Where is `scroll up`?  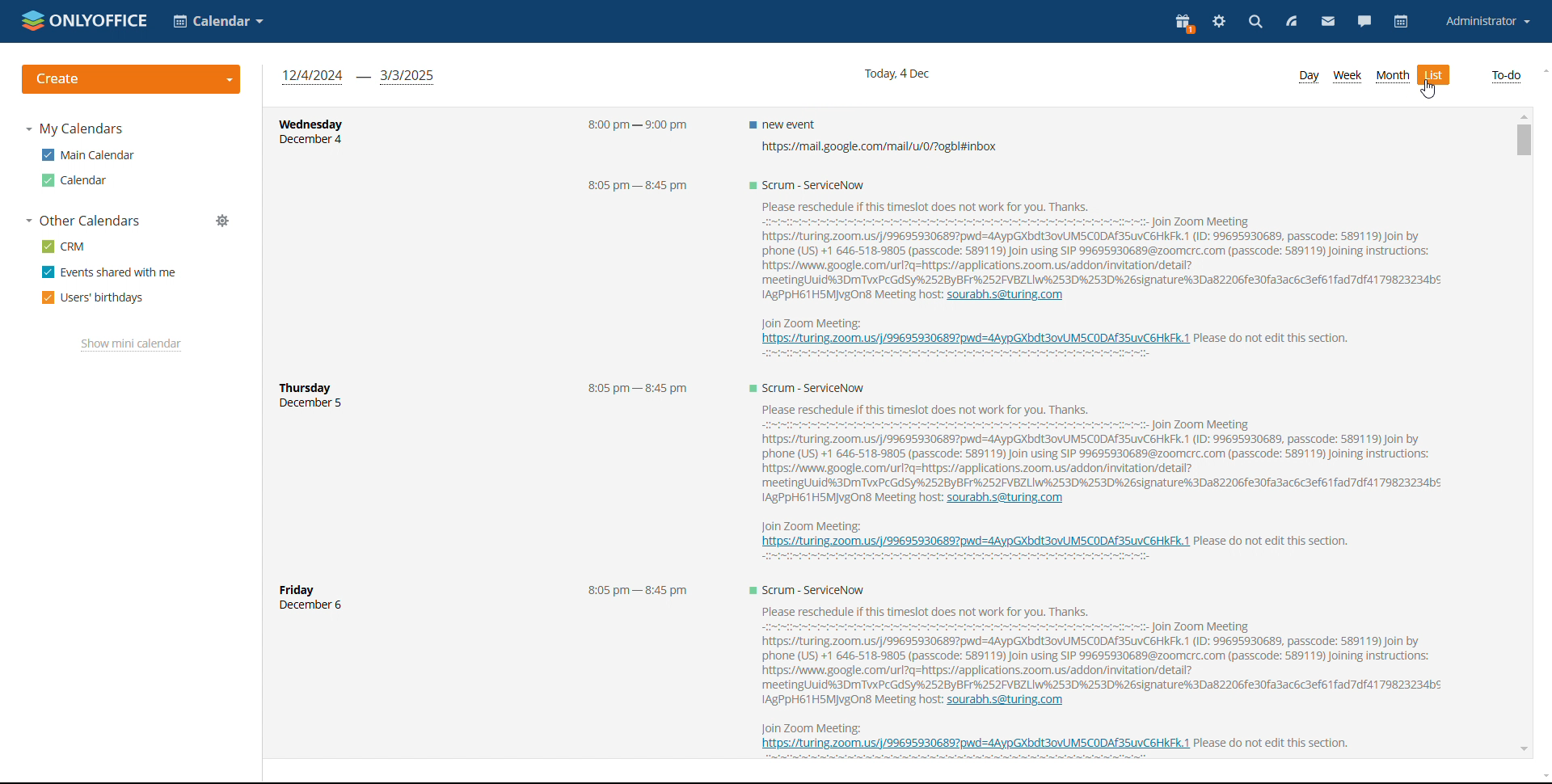 scroll up is located at coordinates (1542, 70).